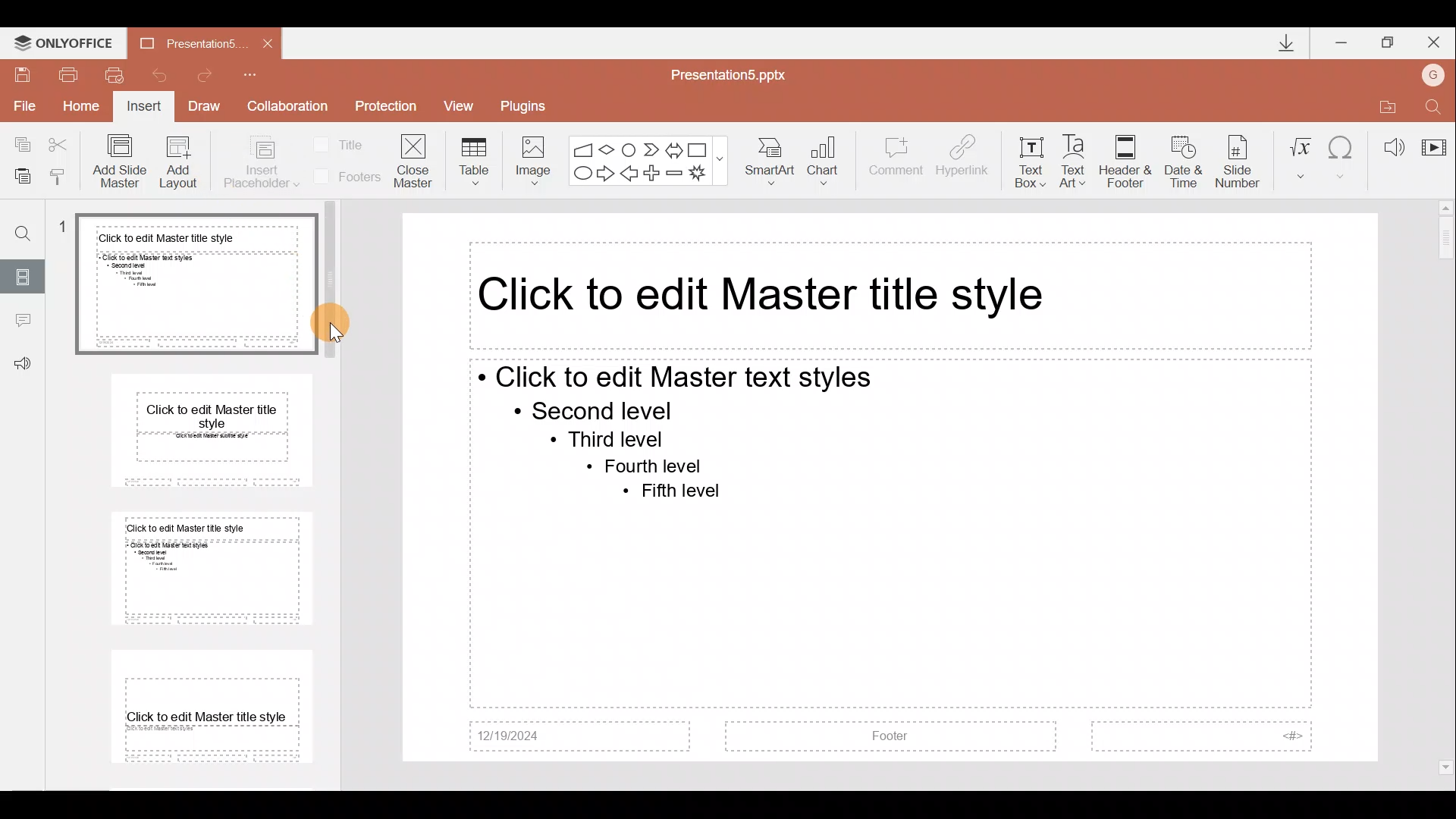  What do you see at coordinates (22, 322) in the screenshot?
I see `Comments` at bounding box center [22, 322].